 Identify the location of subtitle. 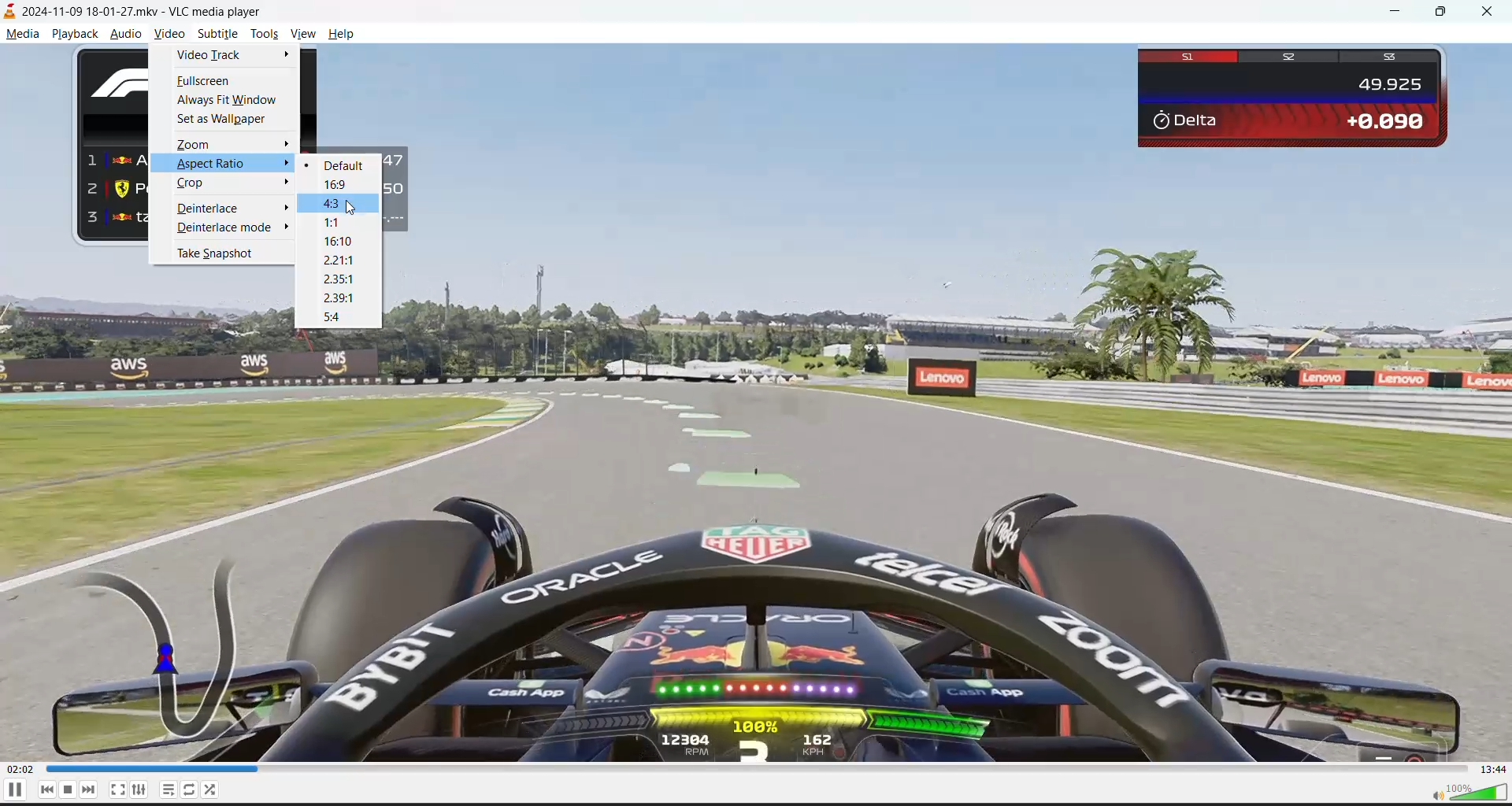
(218, 35).